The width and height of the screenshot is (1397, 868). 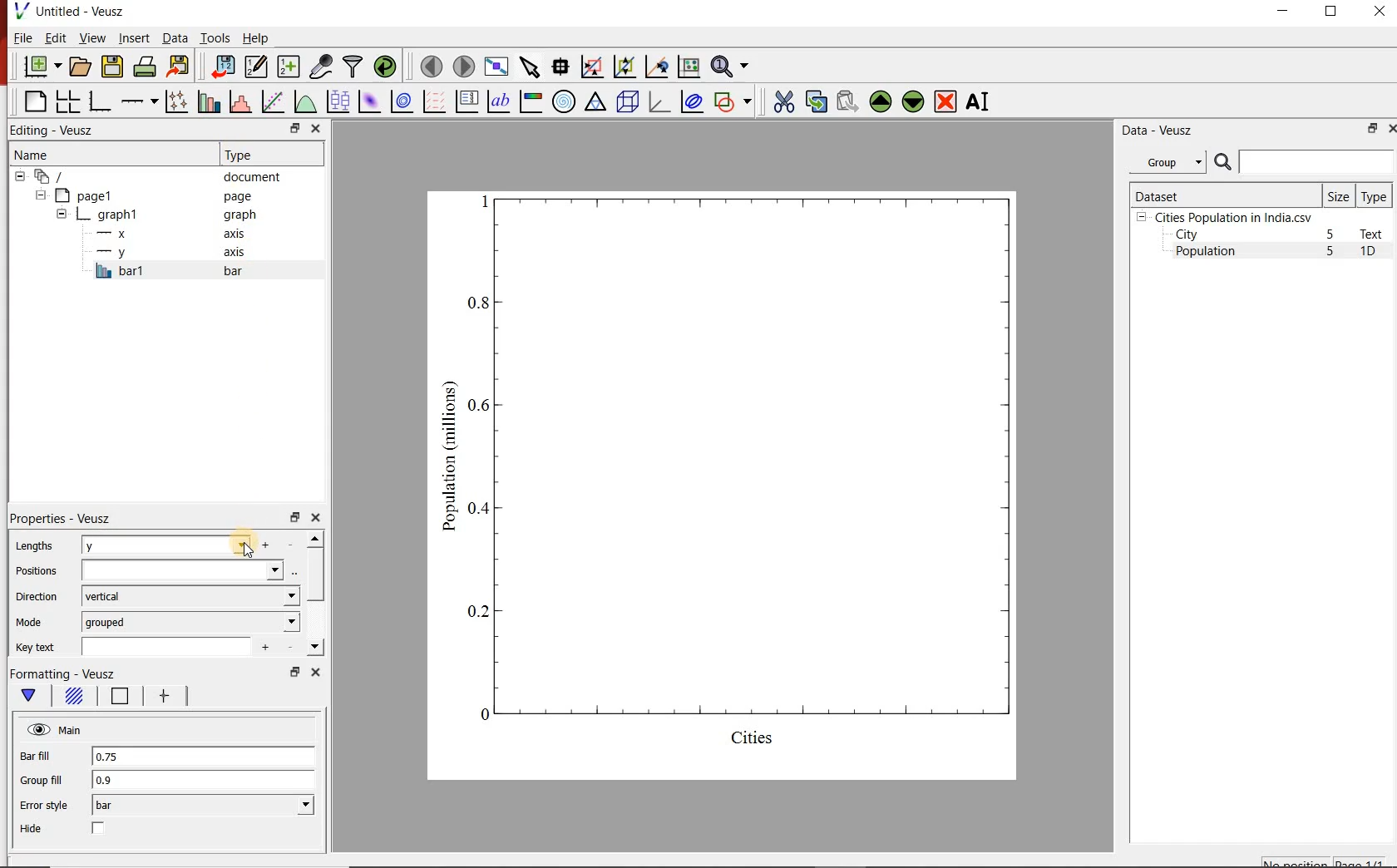 What do you see at coordinates (214, 37) in the screenshot?
I see `Tools` at bounding box center [214, 37].